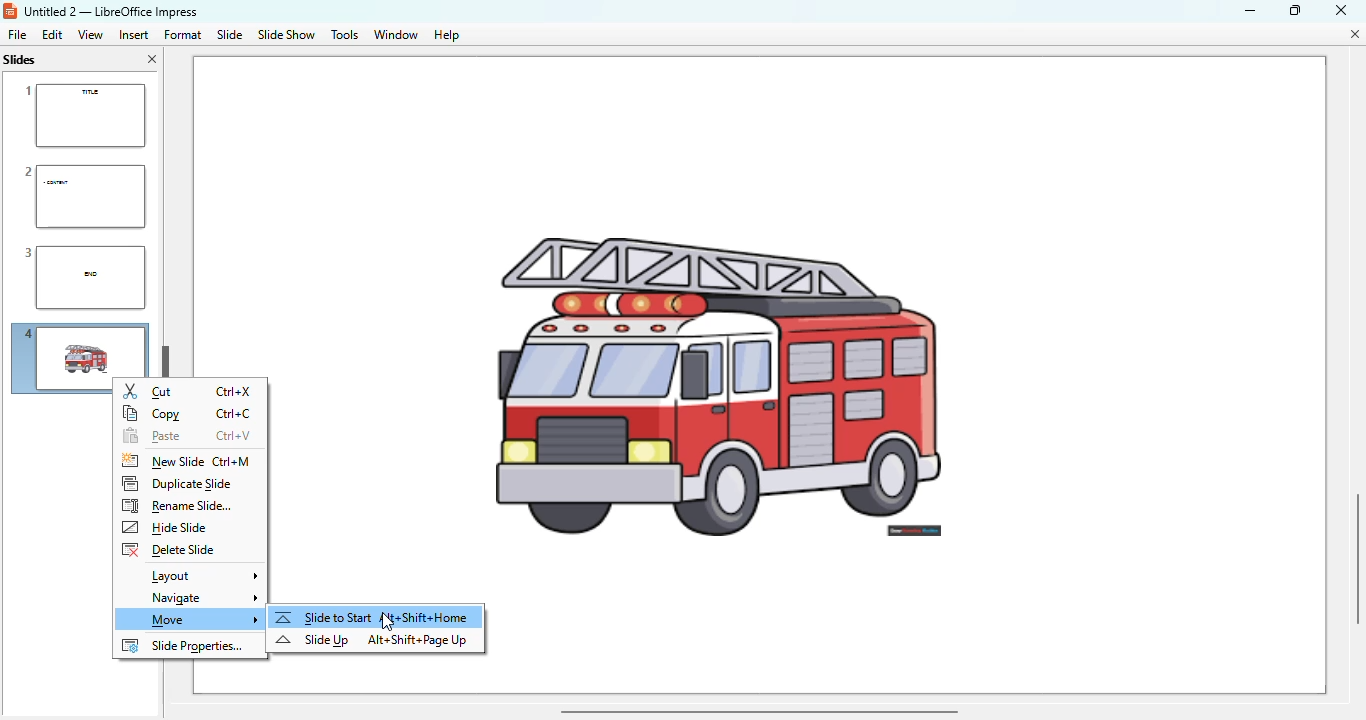 The height and width of the screenshot is (720, 1366). Describe the element at coordinates (177, 506) in the screenshot. I see `rename slide` at that location.